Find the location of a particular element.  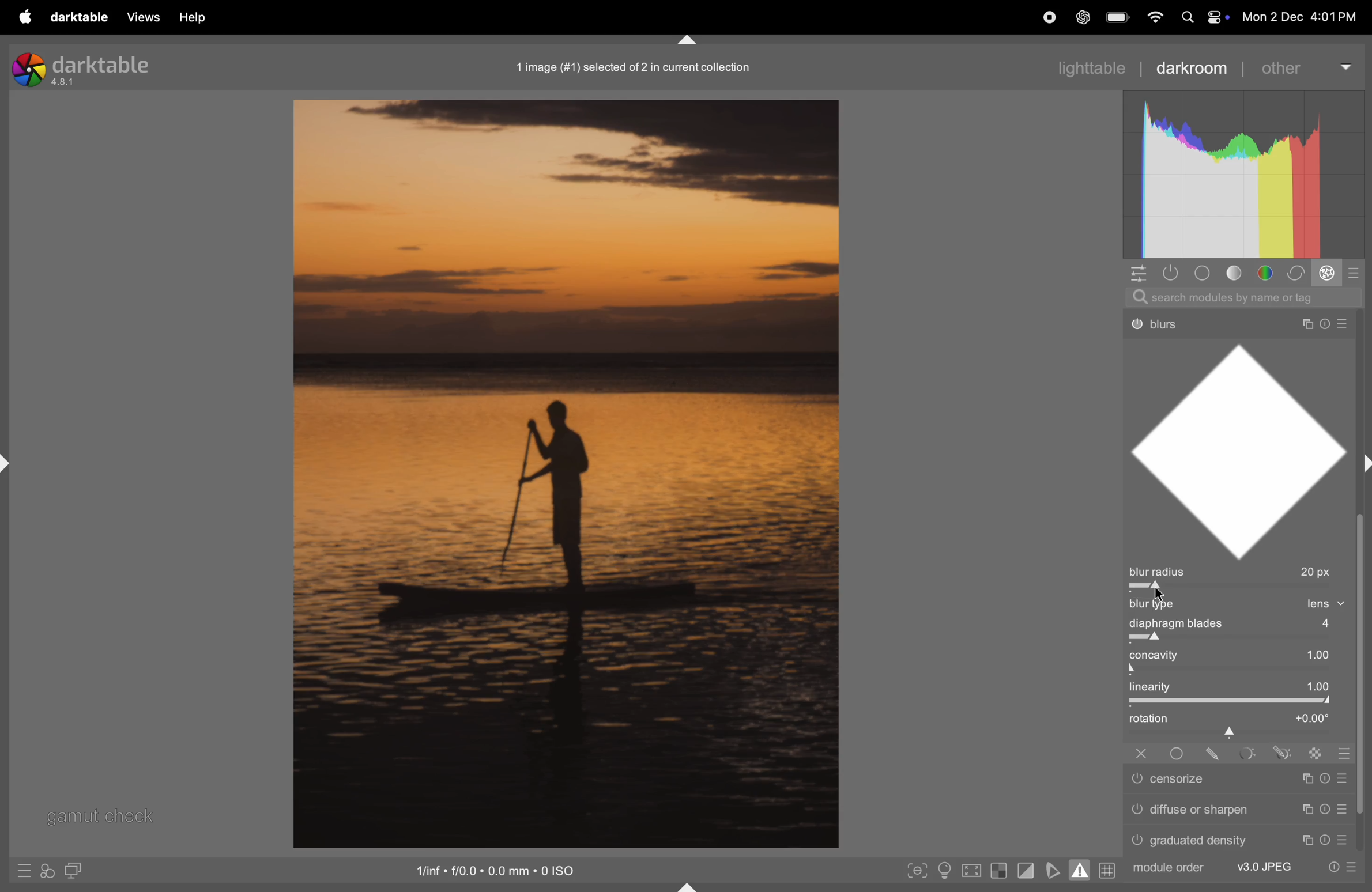

search bar is located at coordinates (1247, 296).